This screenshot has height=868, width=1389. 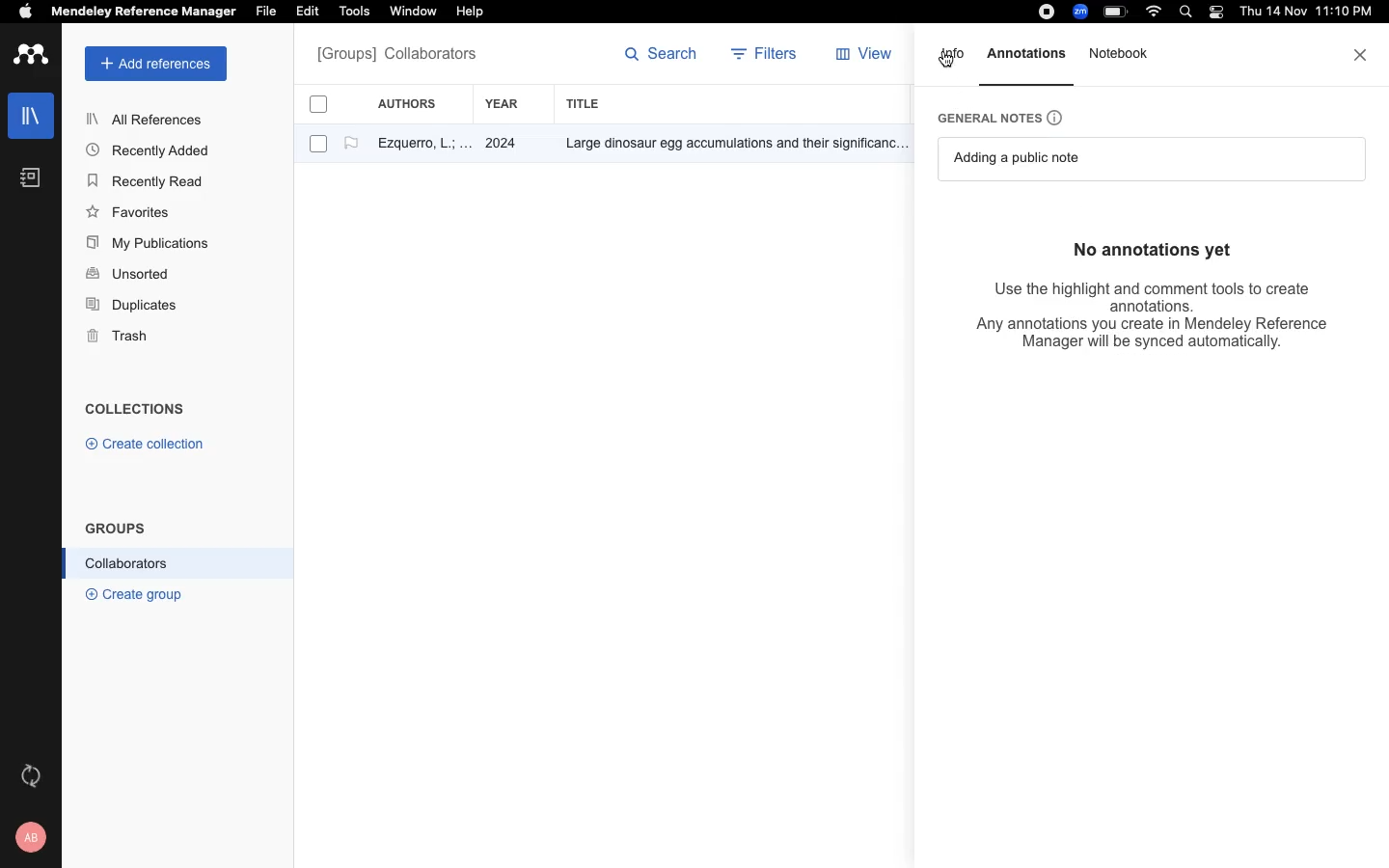 I want to click on GROUPS, so click(x=116, y=527).